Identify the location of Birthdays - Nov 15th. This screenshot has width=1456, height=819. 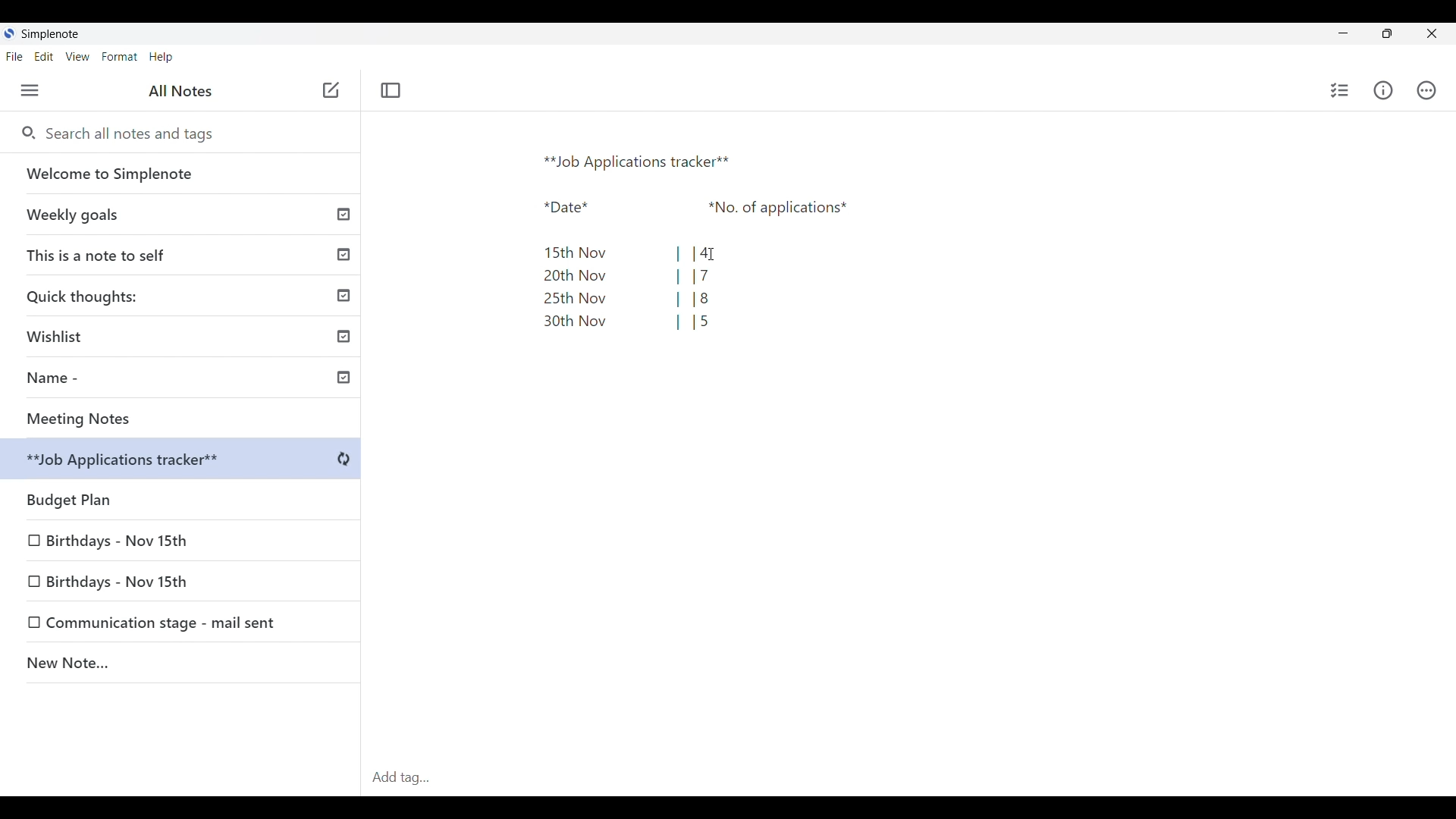
(119, 538).